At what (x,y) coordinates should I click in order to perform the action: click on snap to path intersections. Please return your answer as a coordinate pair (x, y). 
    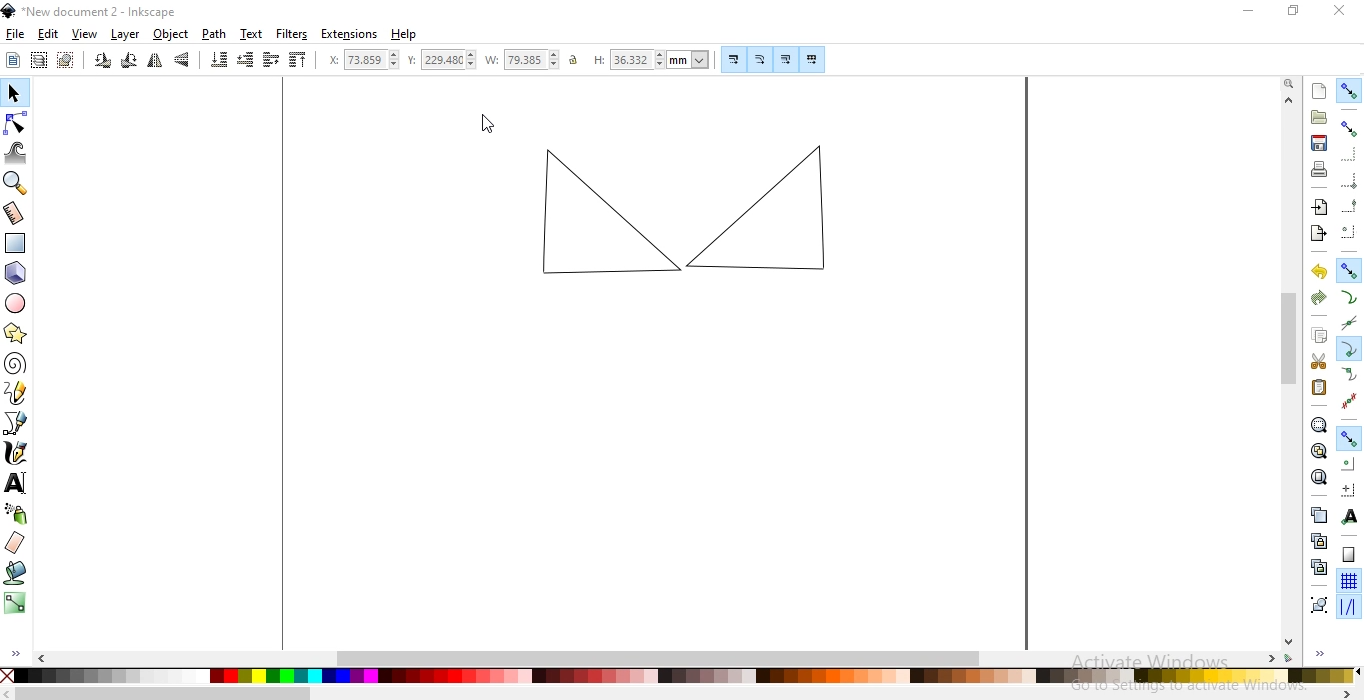
    Looking at the image, I should click on (1352, 322).